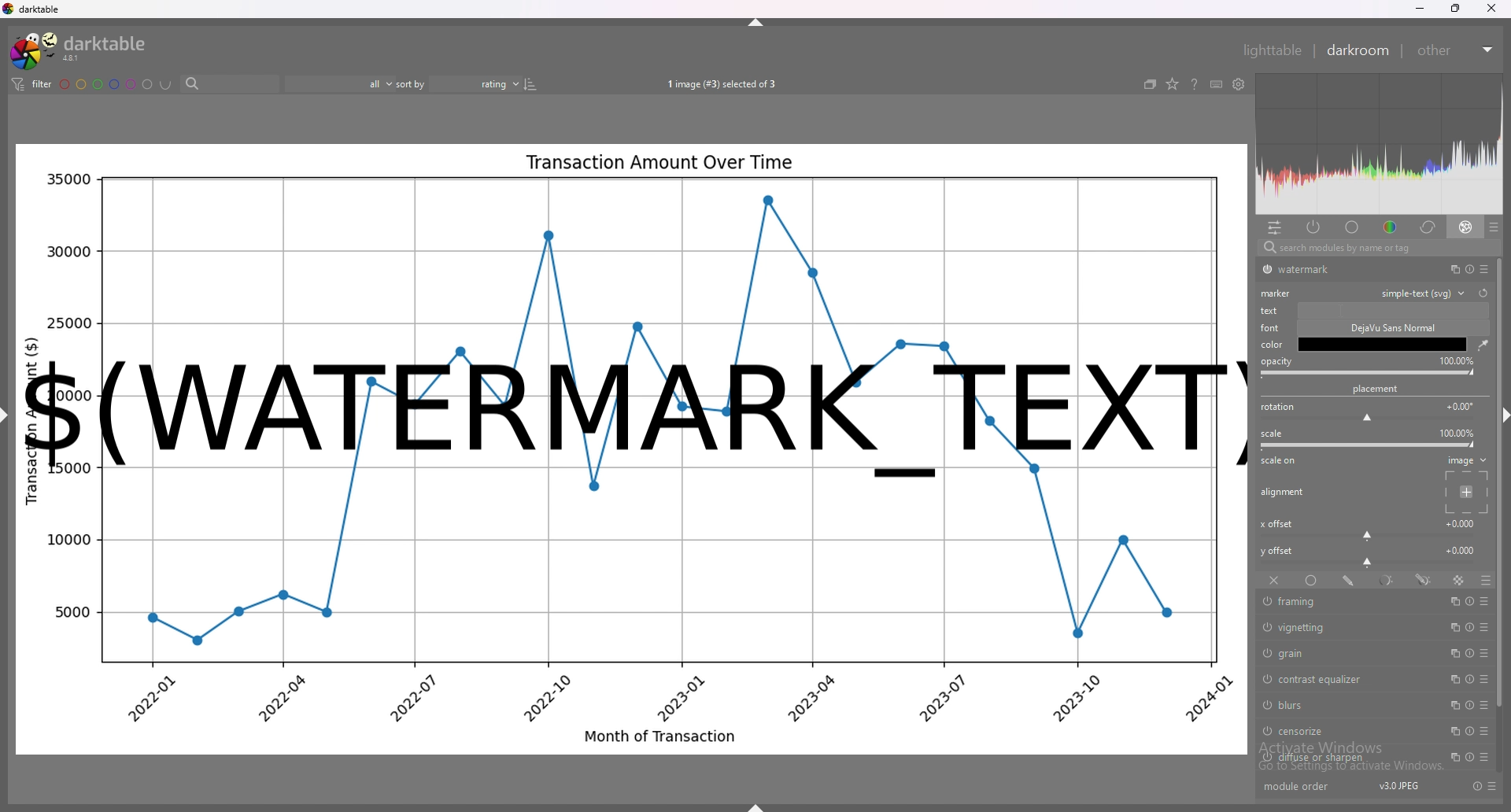  What do you see at coordinates (1469, 628) in the screenshot?
I see `reset` at bounding box center [1469, 628].